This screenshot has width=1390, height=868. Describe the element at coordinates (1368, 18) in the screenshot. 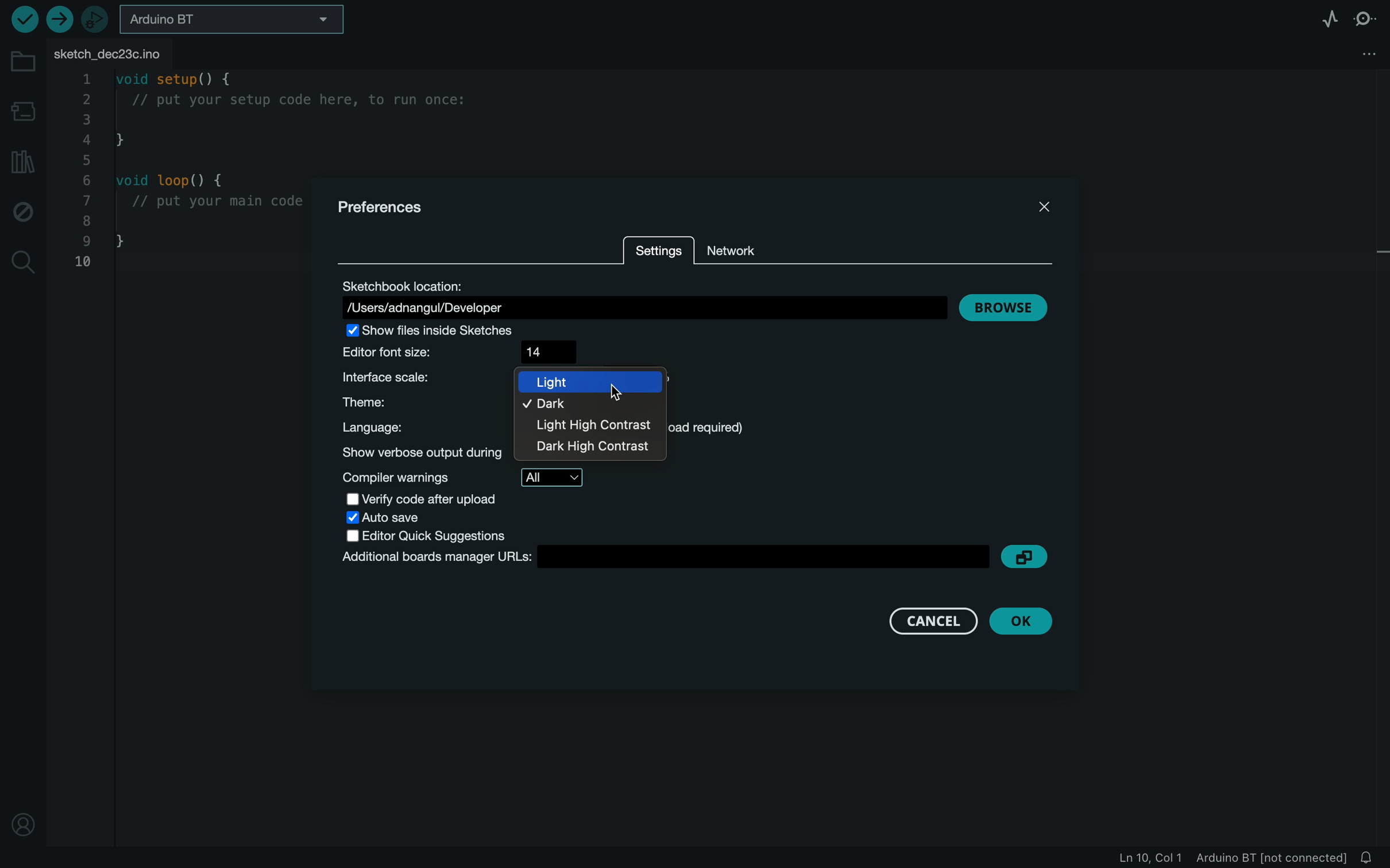

I see `serial monitor` at that location.